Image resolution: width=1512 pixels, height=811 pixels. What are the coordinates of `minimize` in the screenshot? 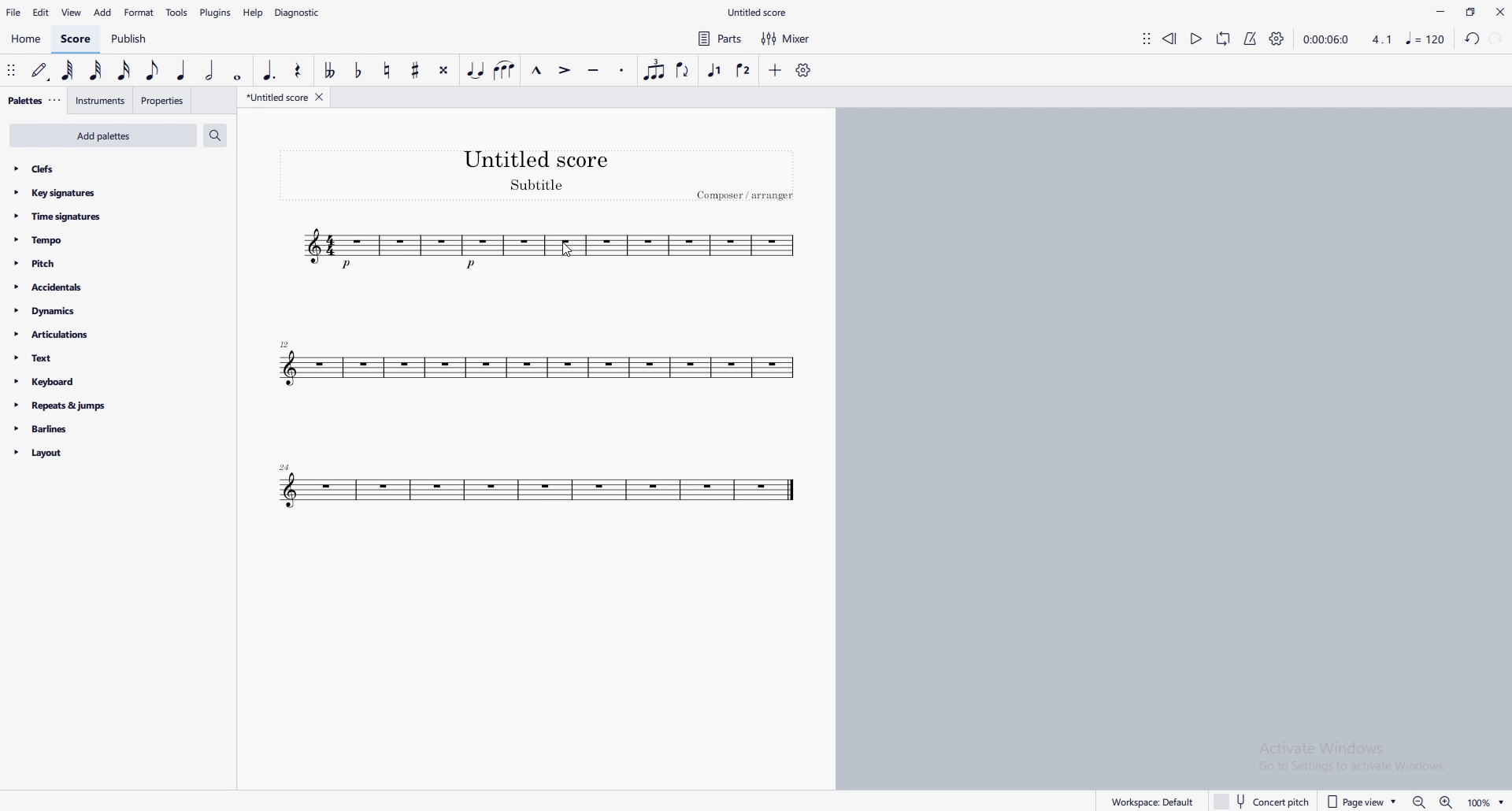 It's located at (1441, 11).